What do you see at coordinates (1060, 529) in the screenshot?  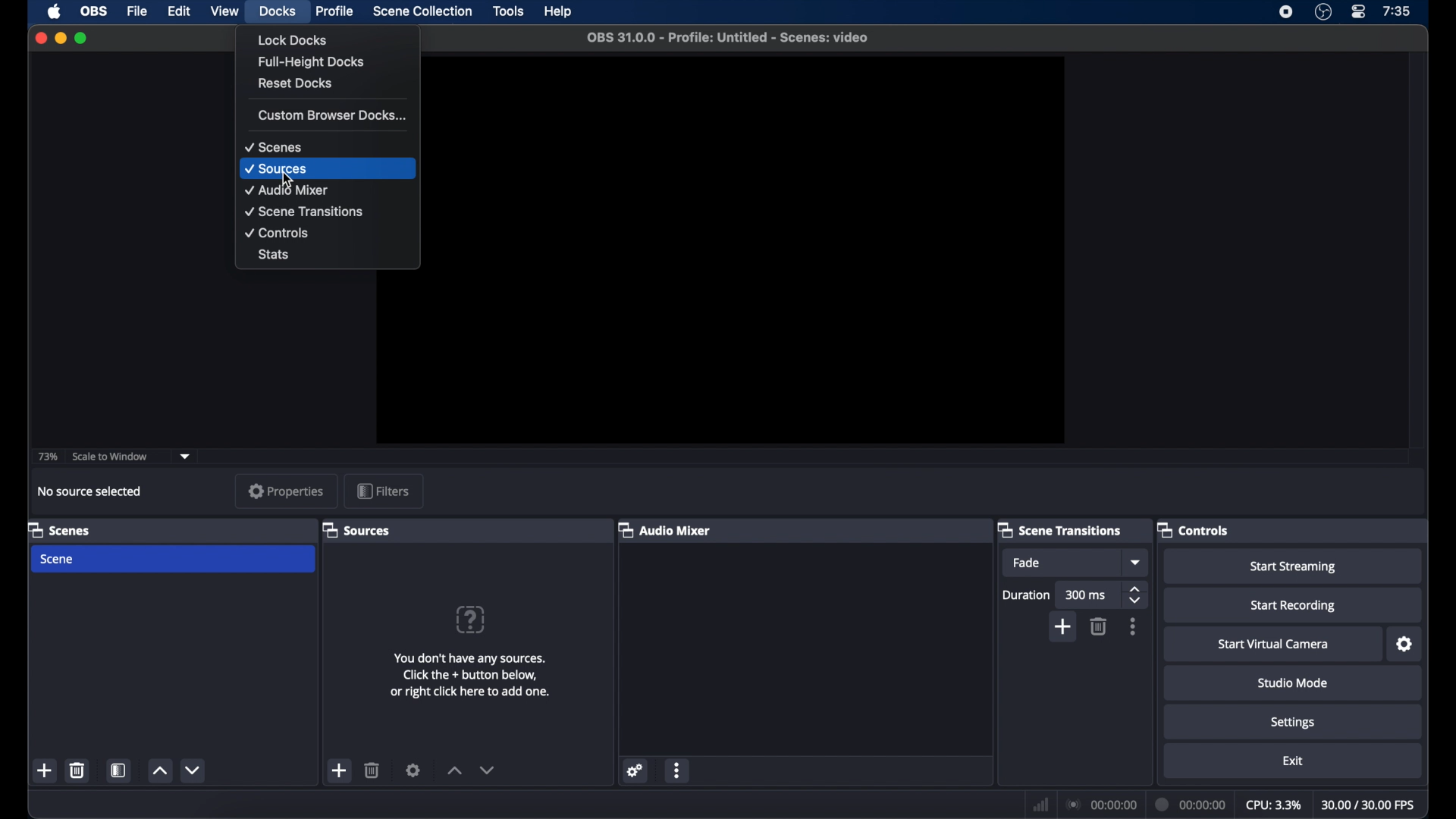 I see `scene transitions` at bounding box center [1060, 529].